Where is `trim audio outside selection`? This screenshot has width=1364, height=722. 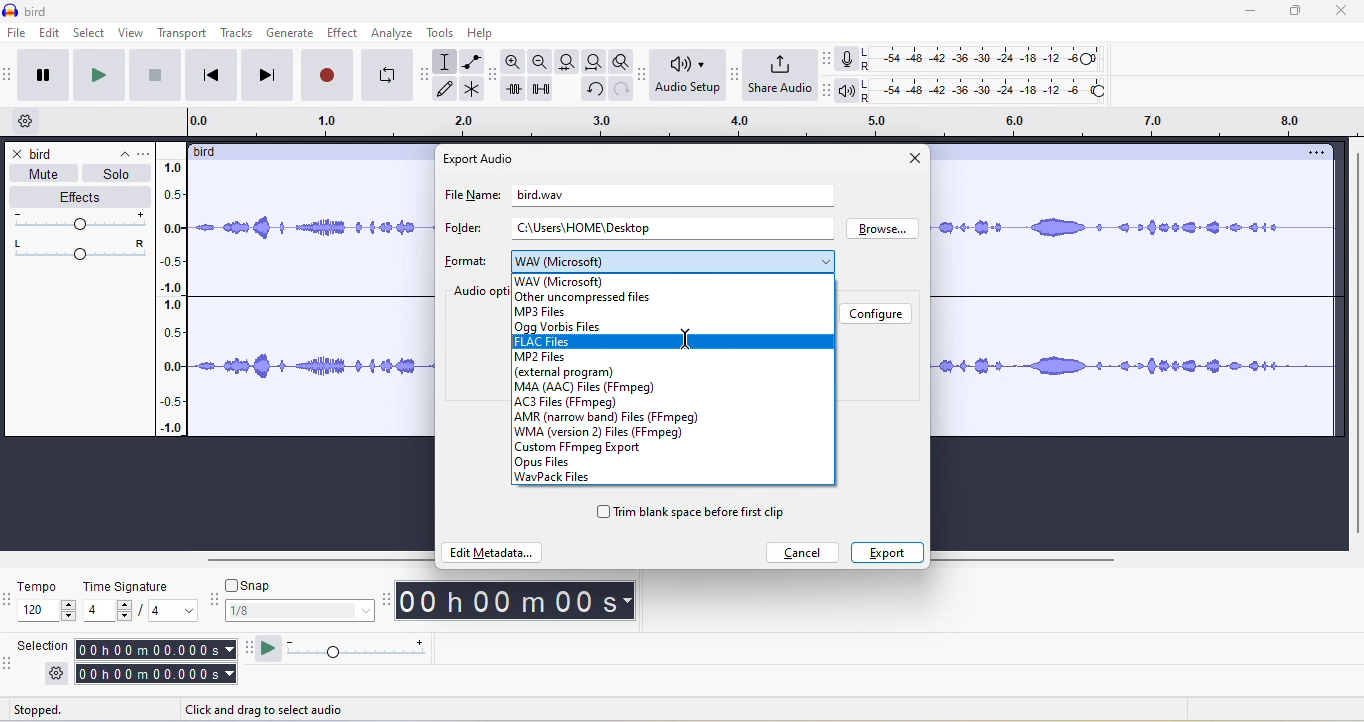
trim audio outside selection is located at coordinates (517, 92).